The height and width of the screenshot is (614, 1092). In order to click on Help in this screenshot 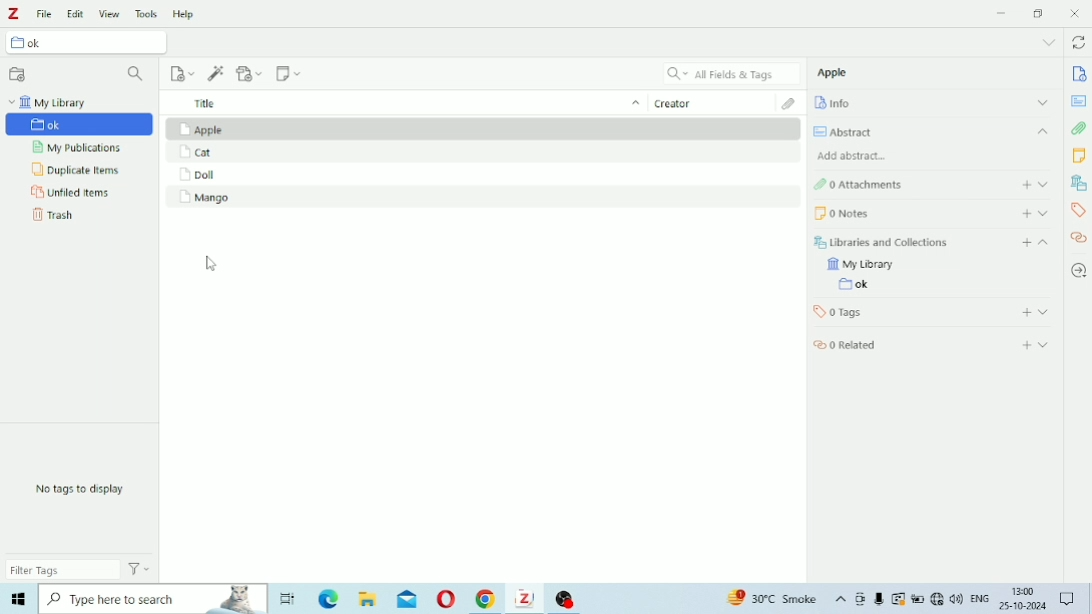, I will do `click(185, 14)`.